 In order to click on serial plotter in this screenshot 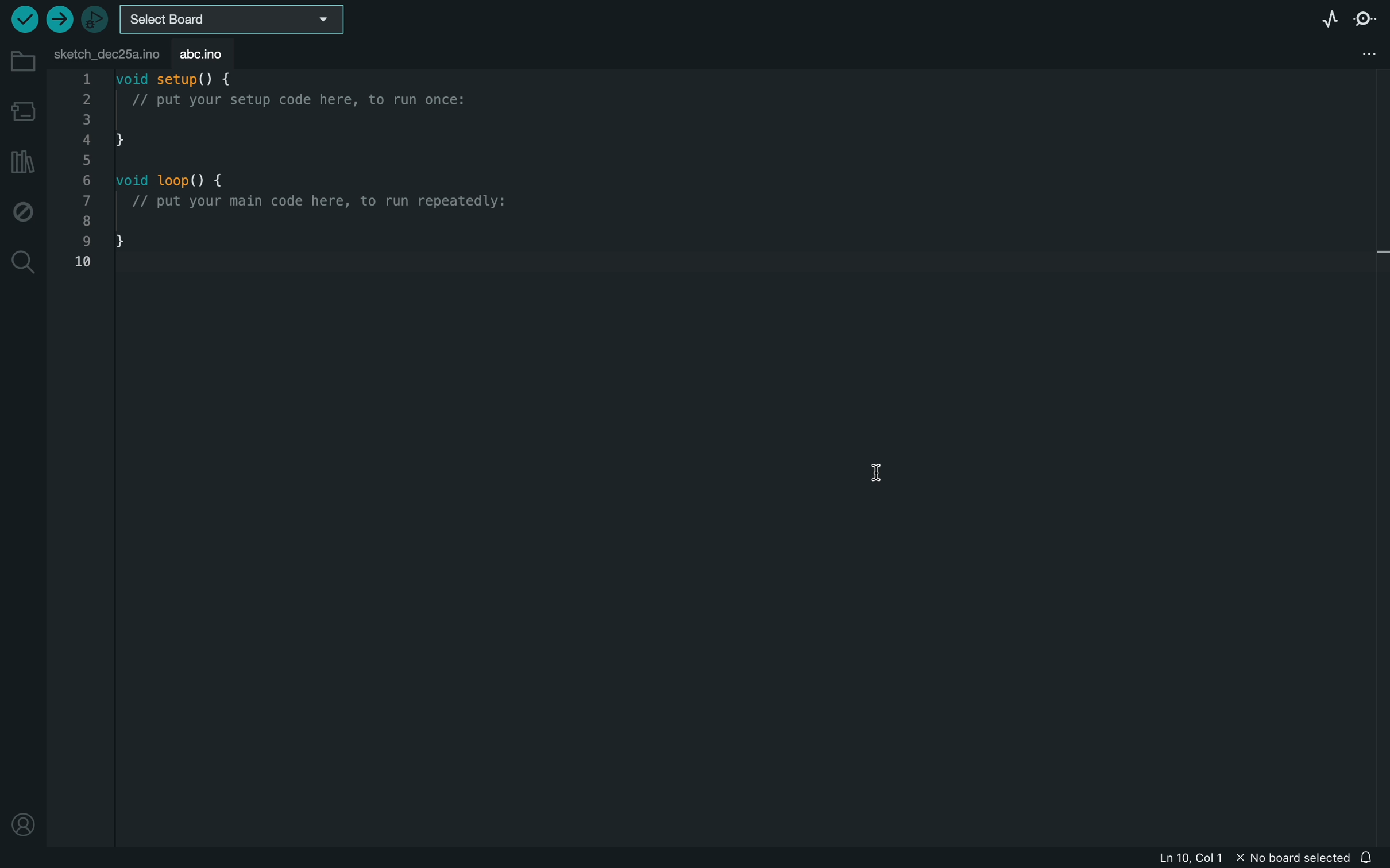, I will do `click(1321, 20)`.